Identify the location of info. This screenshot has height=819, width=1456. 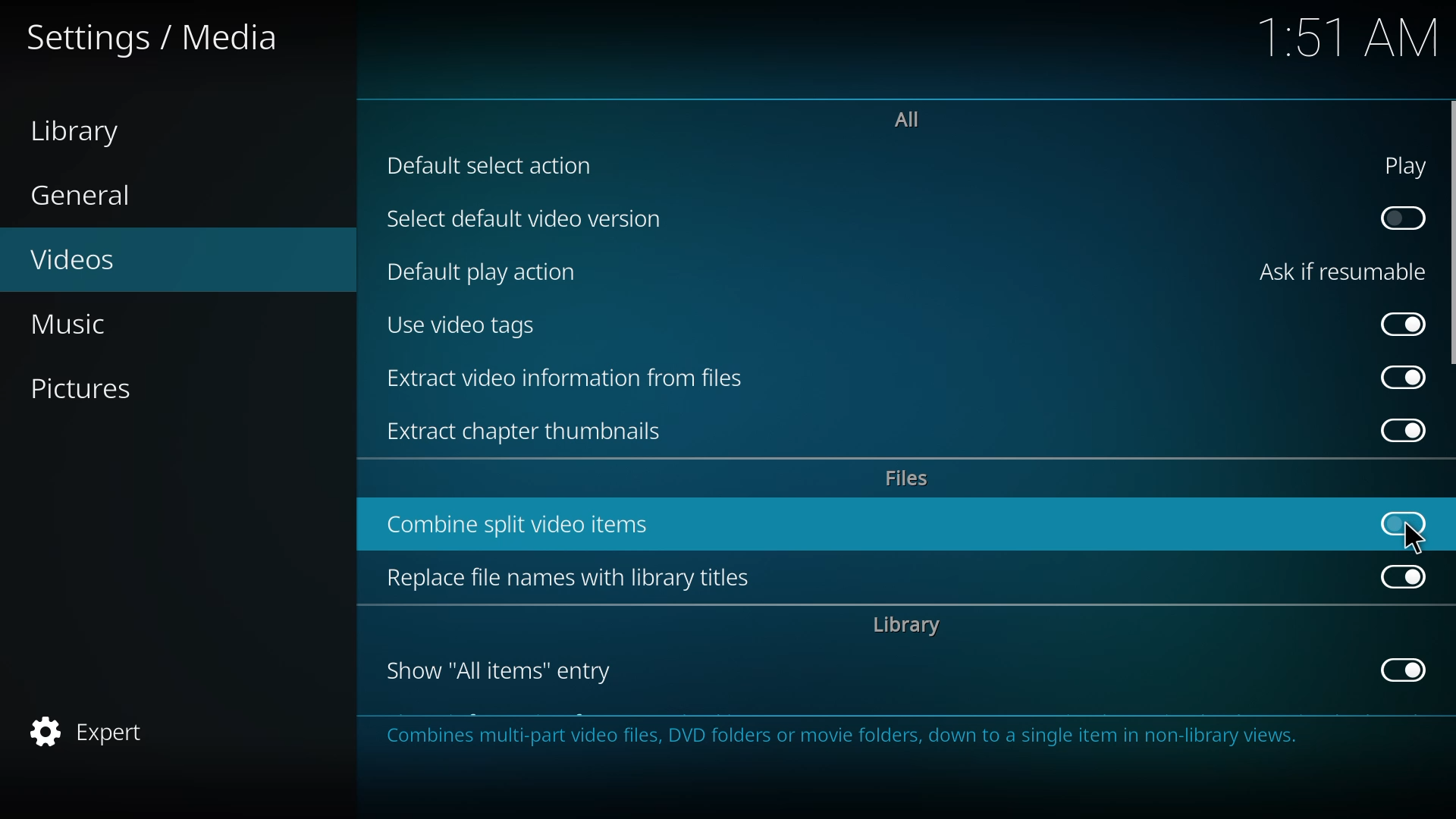
(852, 737).